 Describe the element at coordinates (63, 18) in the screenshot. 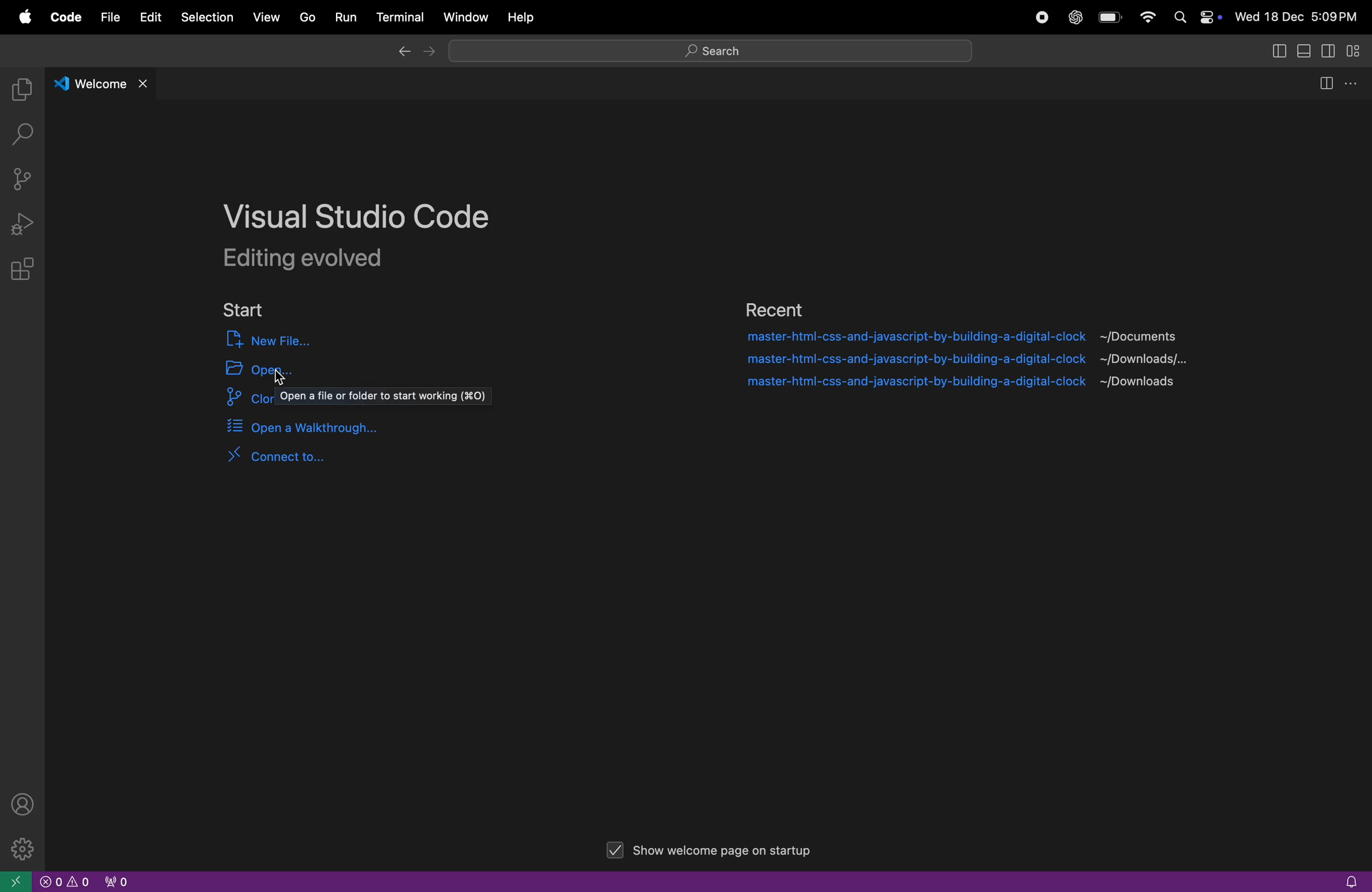

I see `code` at that location.